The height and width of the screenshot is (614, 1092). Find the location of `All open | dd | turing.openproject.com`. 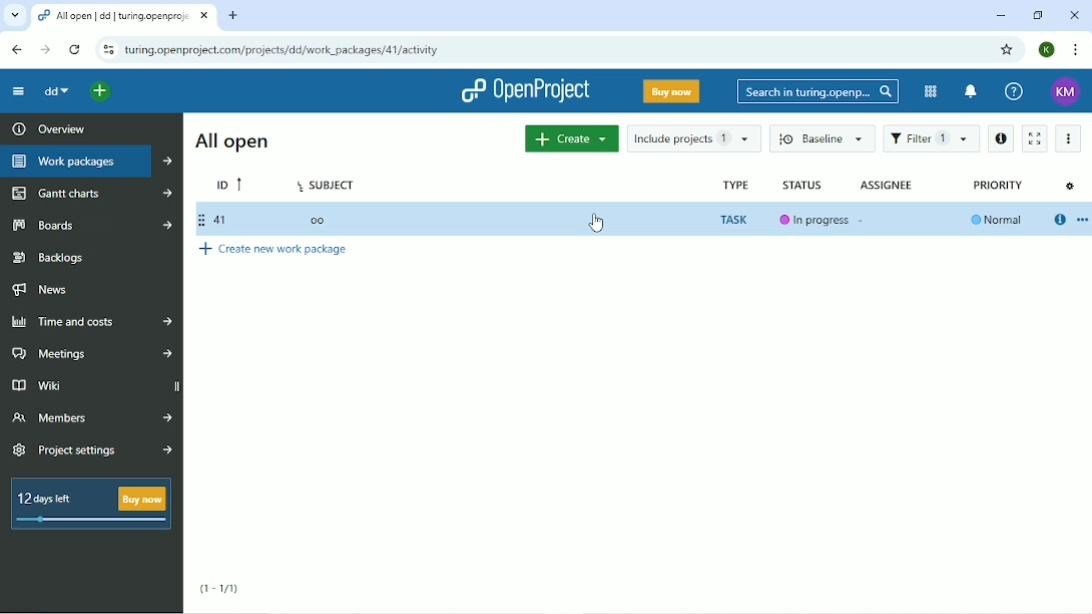

All open | dd | turing.openproject.com is located at coordinates (122, 16).